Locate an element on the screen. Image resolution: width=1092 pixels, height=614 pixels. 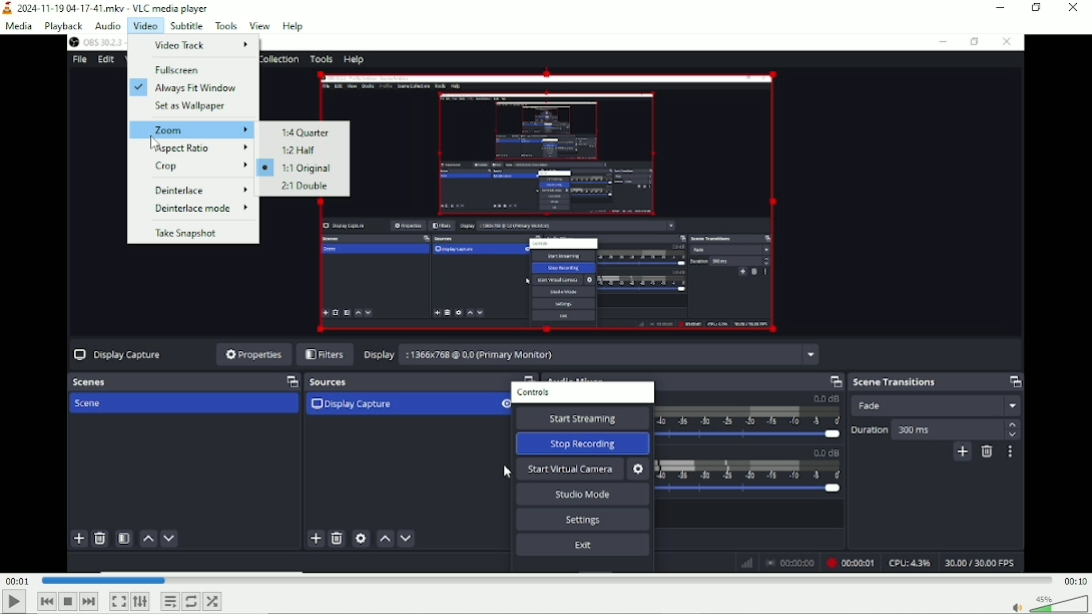
Total duration is located at coordinates (1074, 582).